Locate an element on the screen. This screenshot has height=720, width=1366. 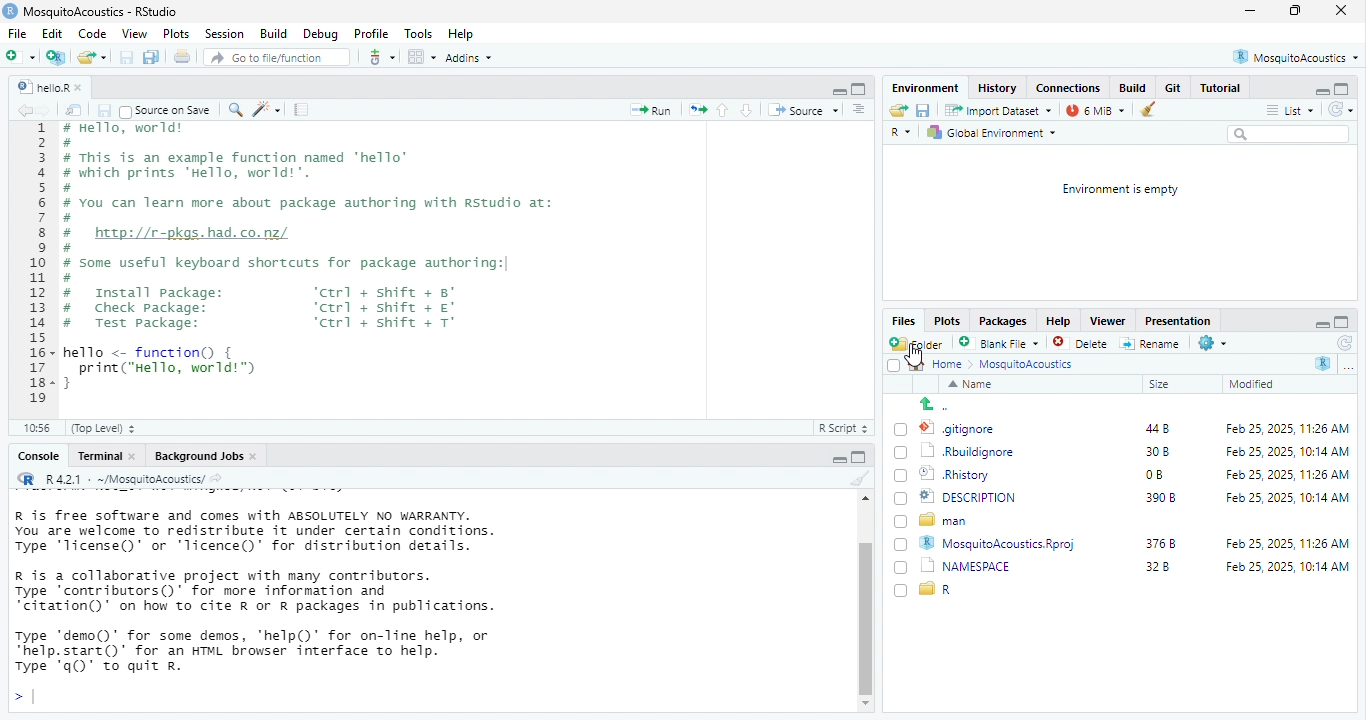
go back to the previous source location is located at coordinates (25, 112).